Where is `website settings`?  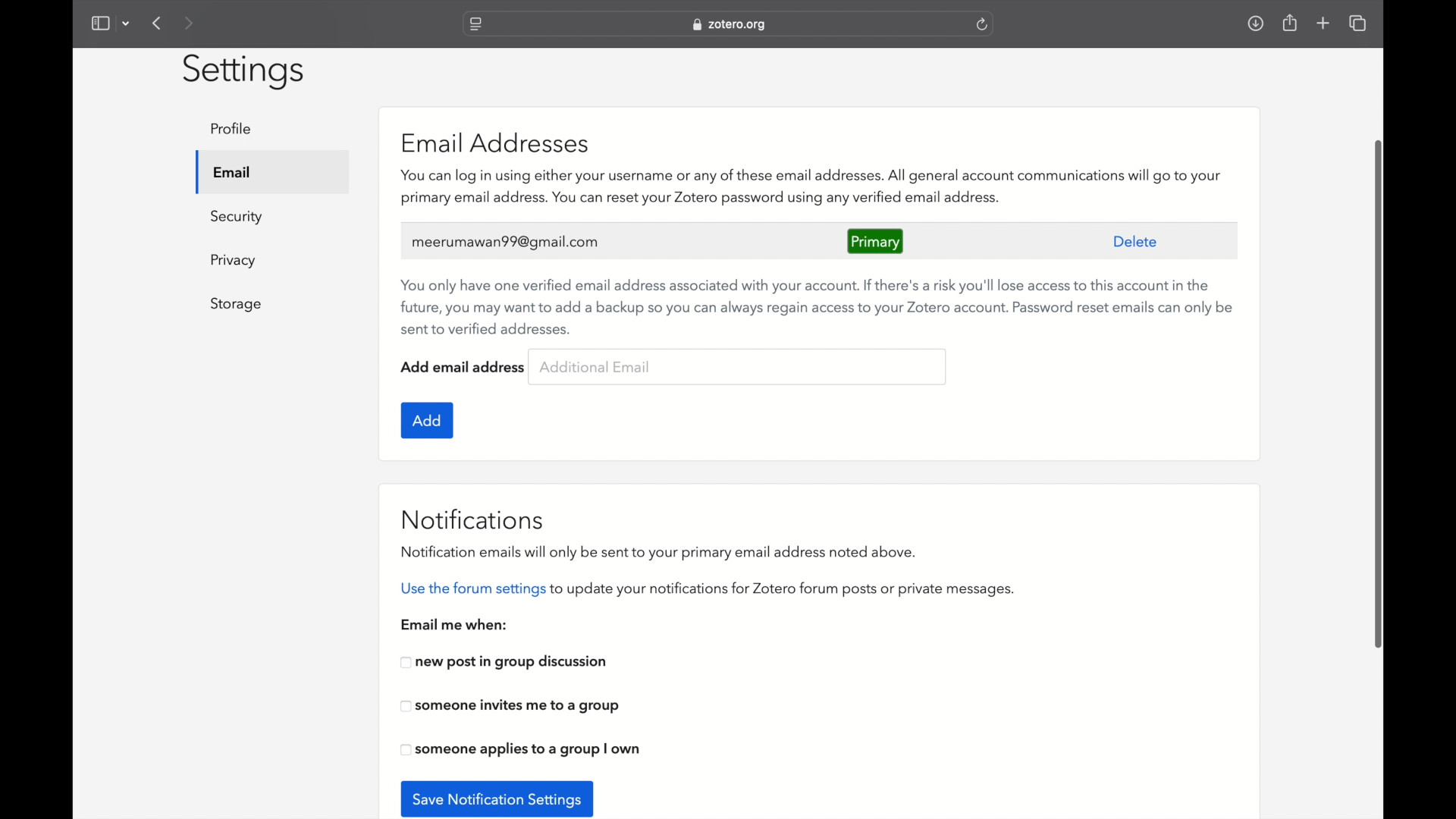
website settings is located at coordinates (475, 24).